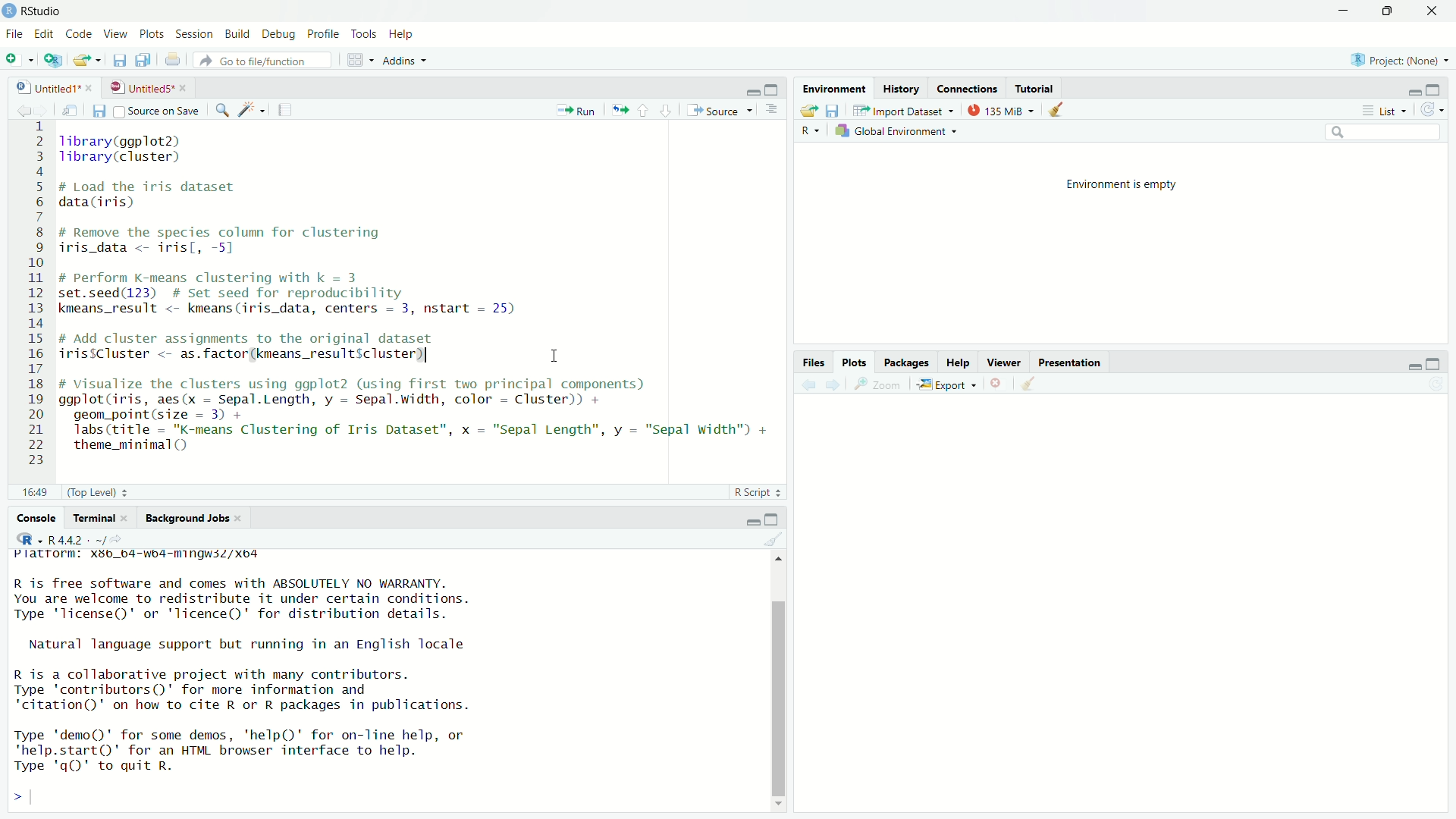 The height and width of the screenshot is (819, 1456). I want to click on Natural language support but running in an English locale, so click(266, 645).